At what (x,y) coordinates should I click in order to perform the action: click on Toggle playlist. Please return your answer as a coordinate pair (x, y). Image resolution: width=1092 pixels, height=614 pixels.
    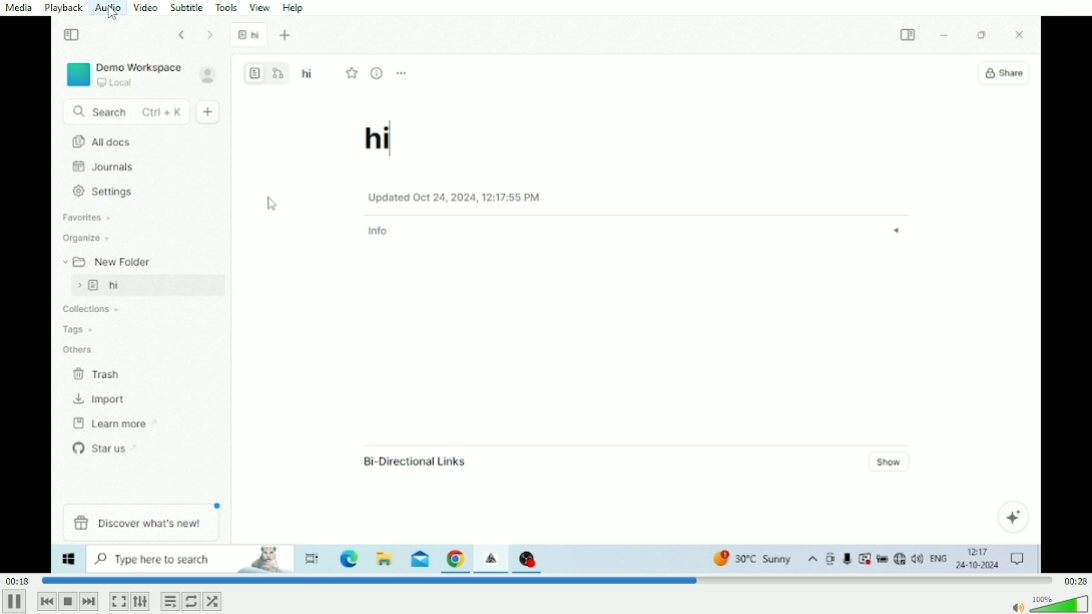
    Looking at the image, I should click on (170, 601).